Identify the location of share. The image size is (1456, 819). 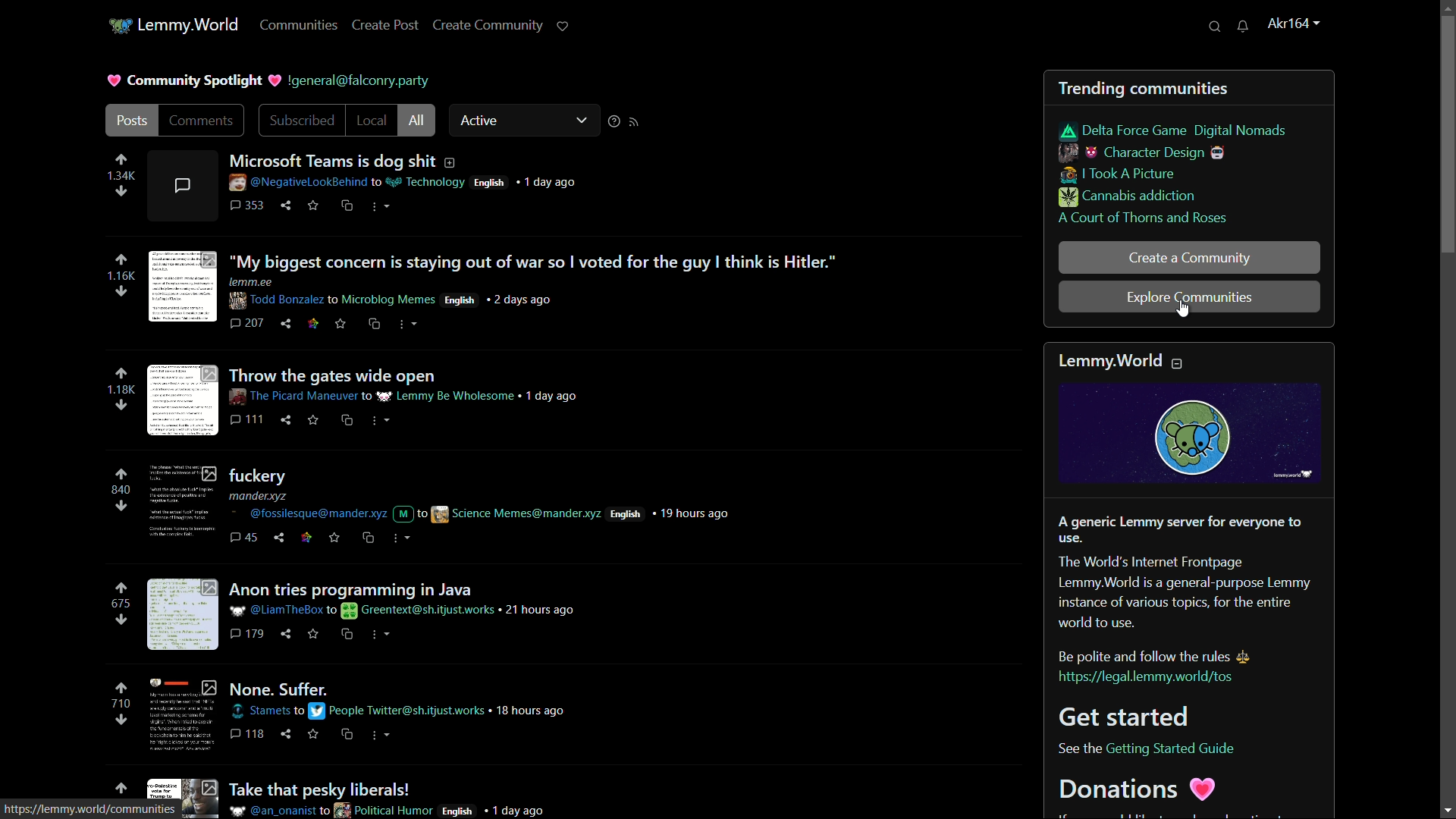
(284, 322).